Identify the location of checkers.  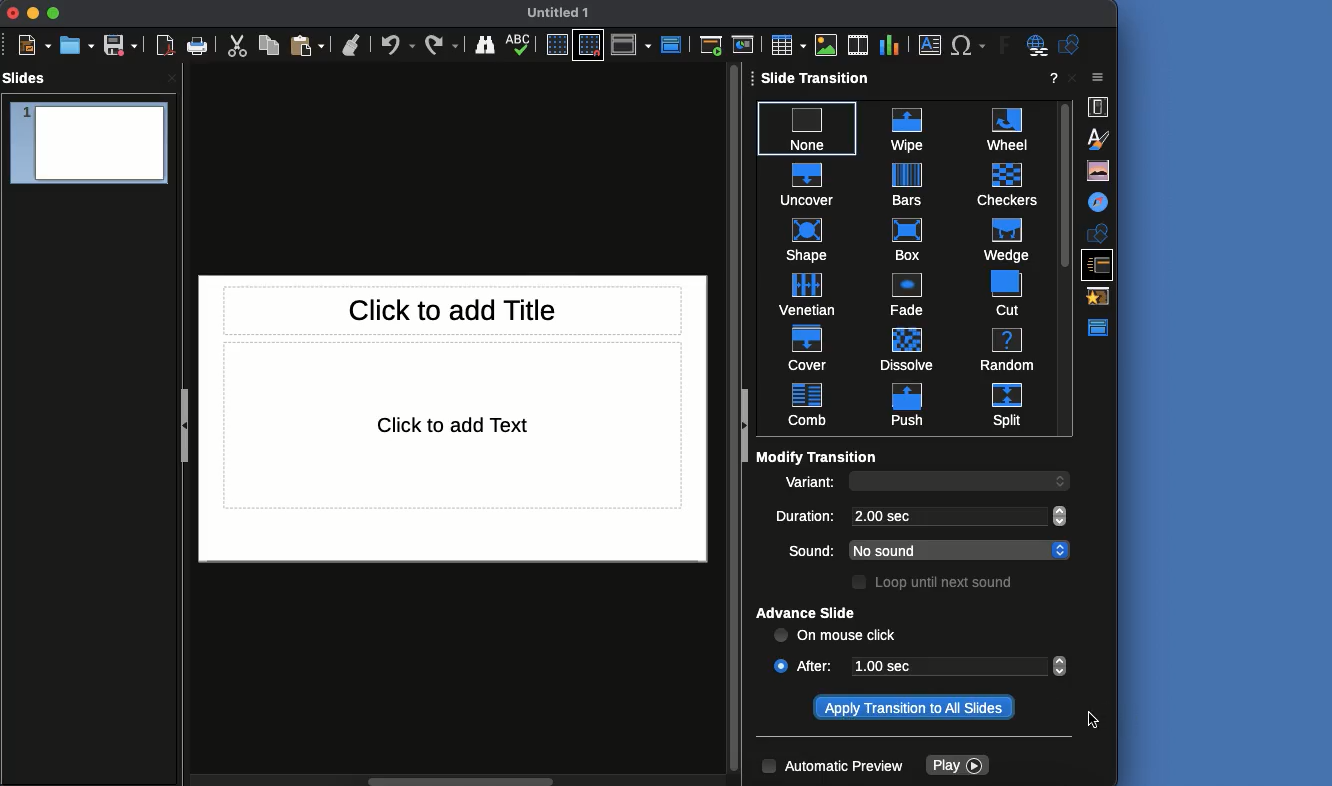
(1001, 182).